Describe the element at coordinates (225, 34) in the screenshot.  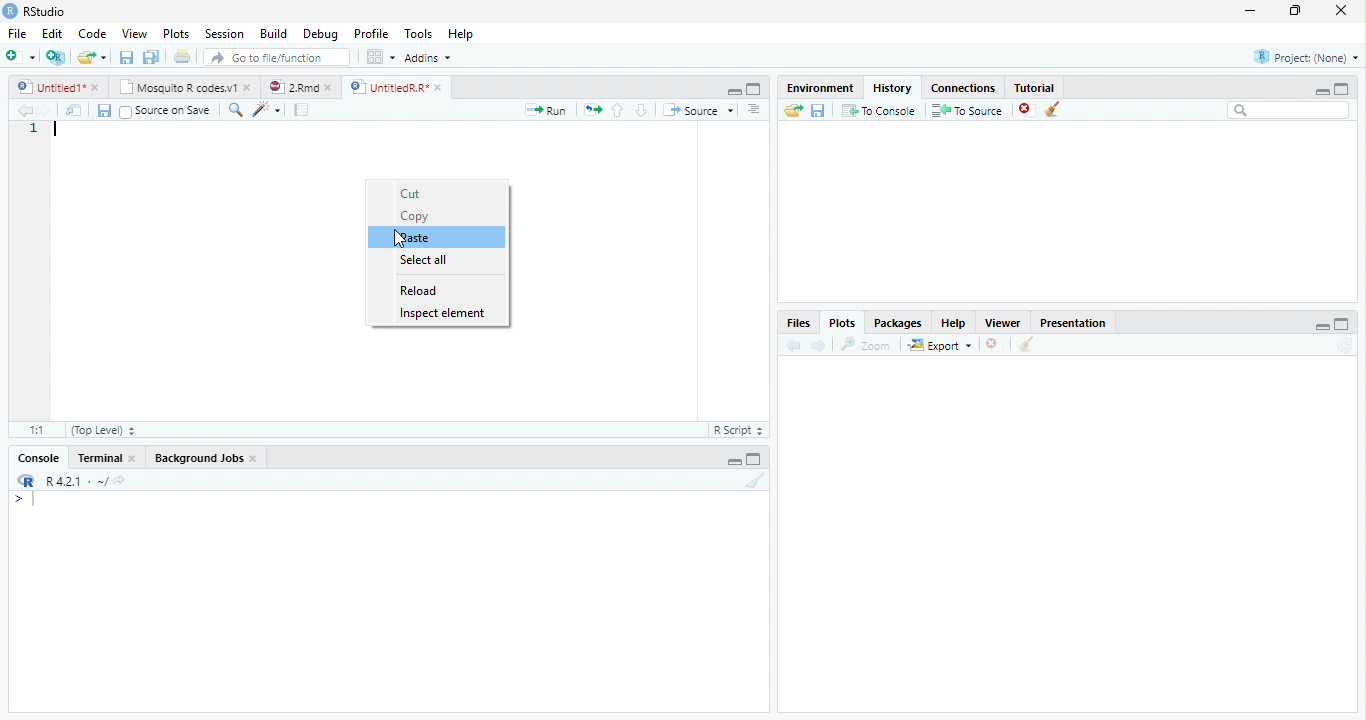
I see `Session` at that location.